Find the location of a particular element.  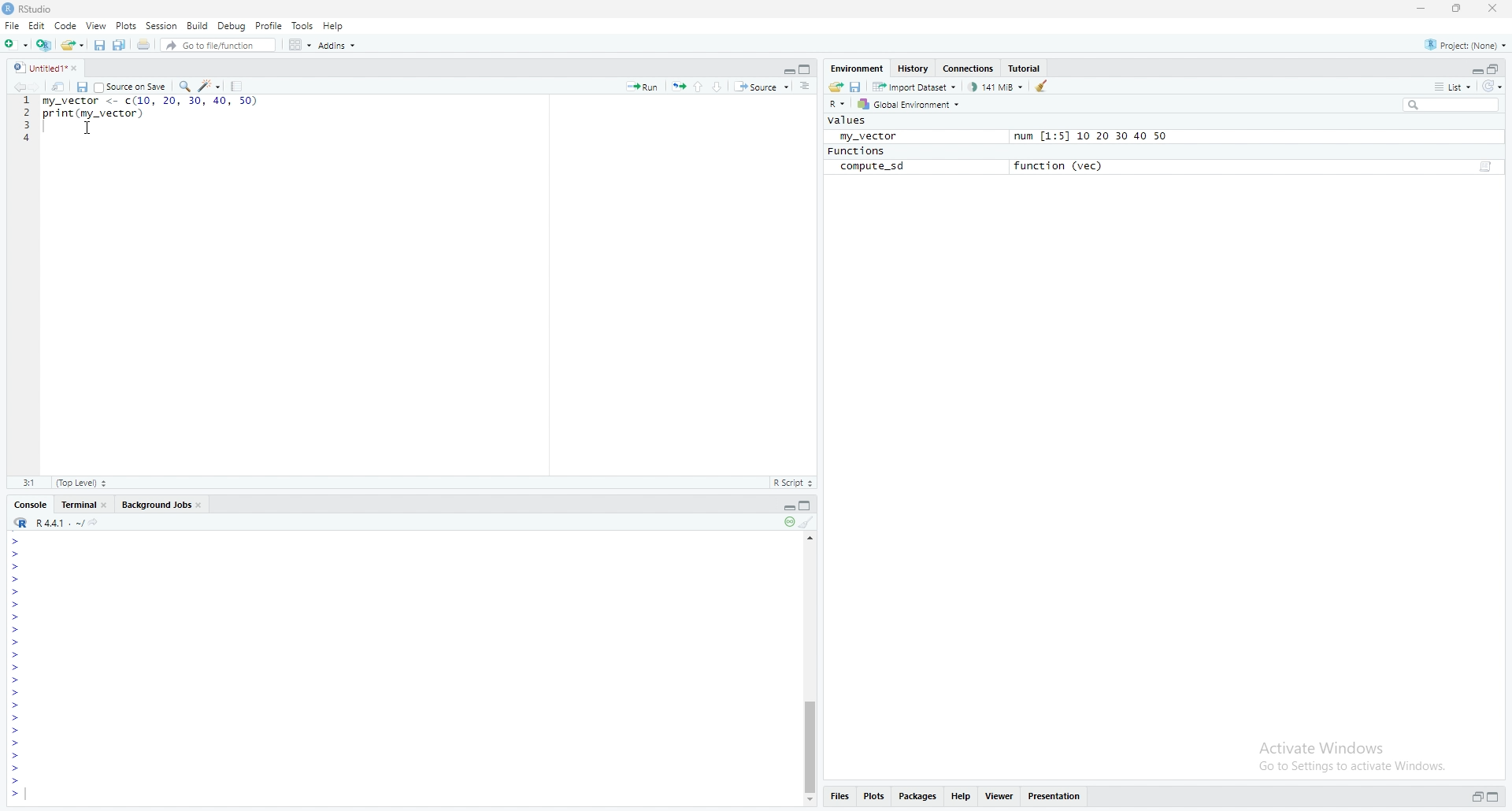

Session is located at coordinates (161, 26).